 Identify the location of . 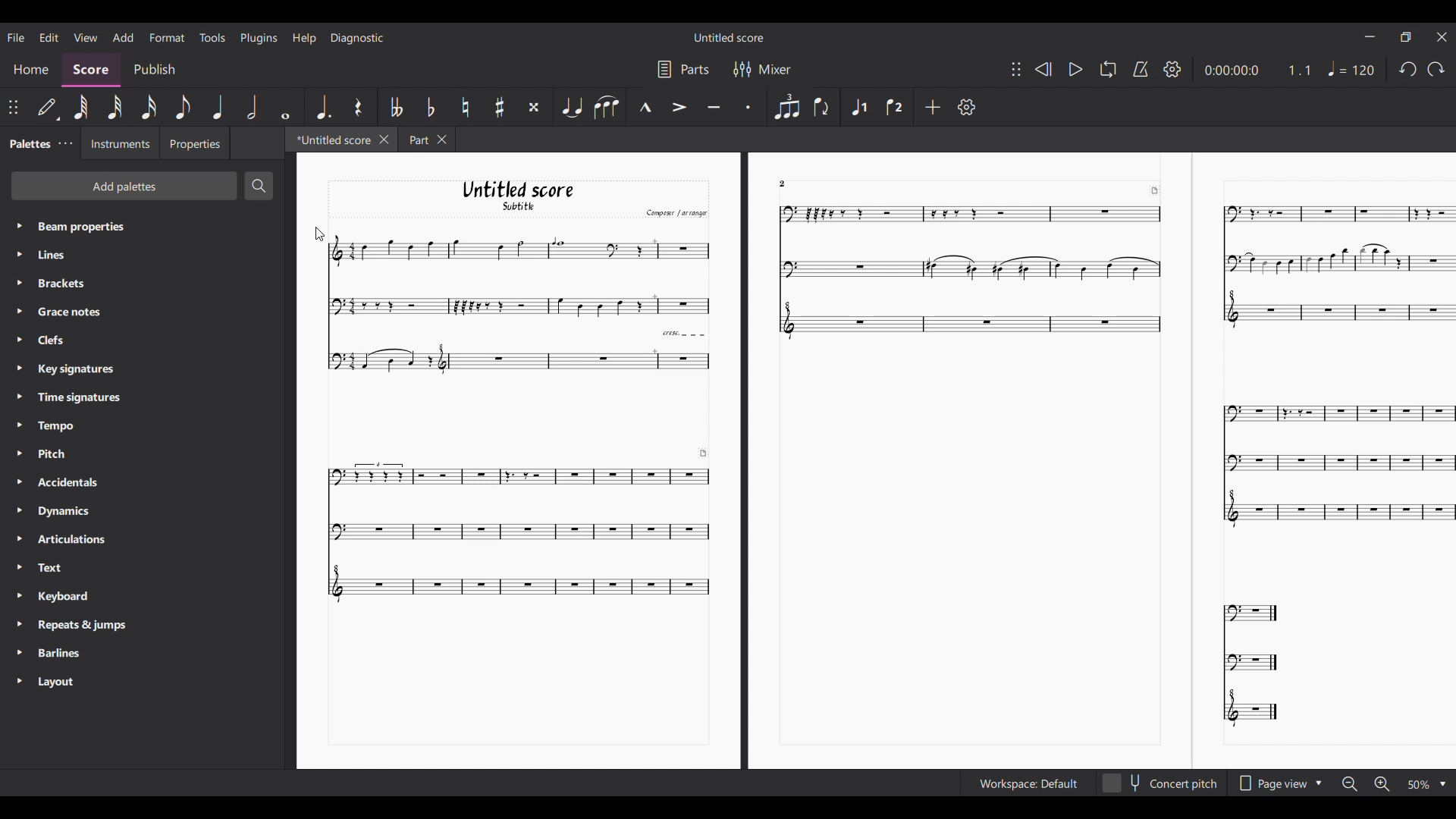
(21, 428).